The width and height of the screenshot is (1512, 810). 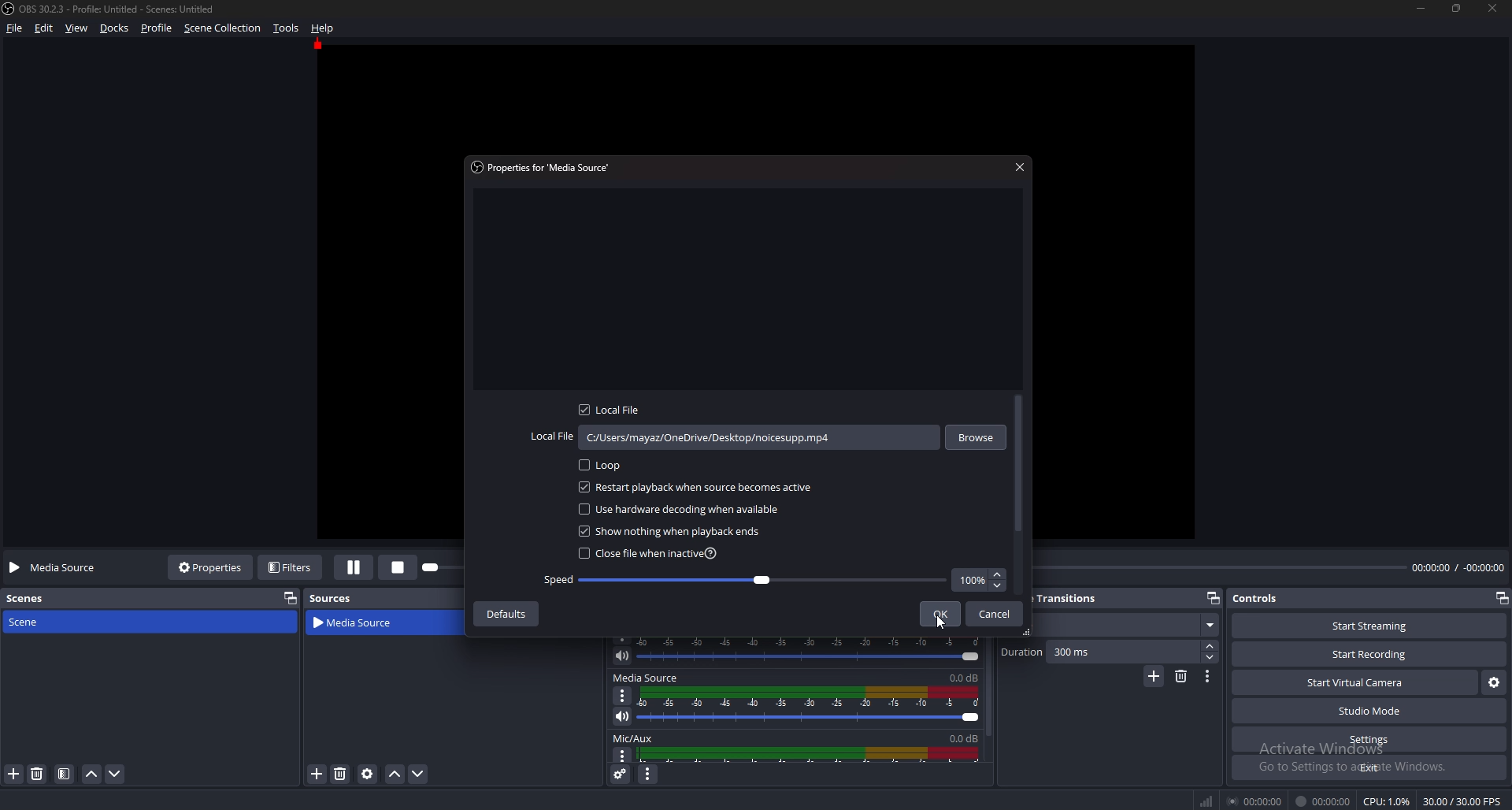 I want to click on media source soundbar, so click(x=814, y=705).